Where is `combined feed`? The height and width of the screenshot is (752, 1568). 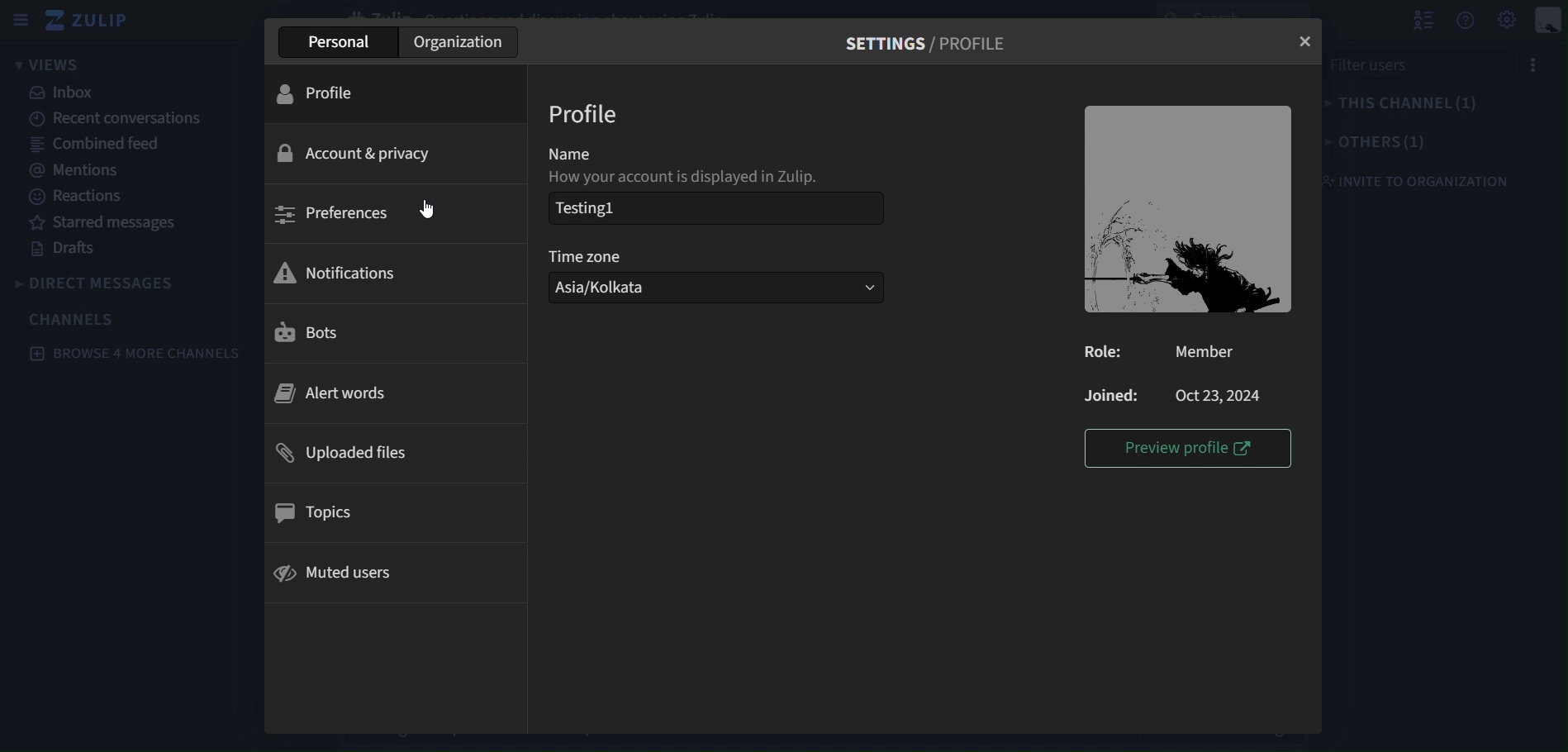 combined feed is located at coordinates (93, 143).